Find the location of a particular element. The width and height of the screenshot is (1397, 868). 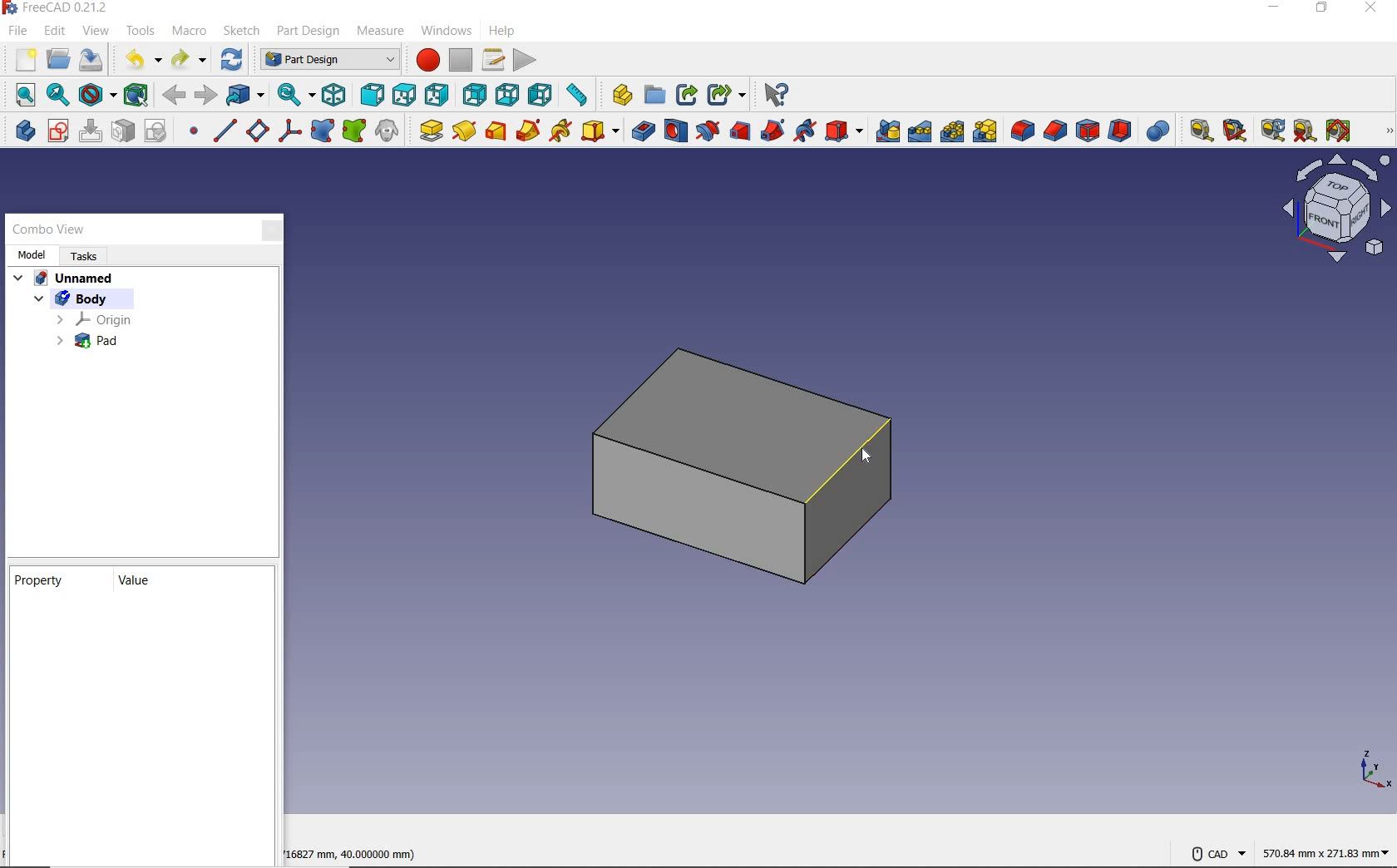

macros is located at coordinates (496, 60).